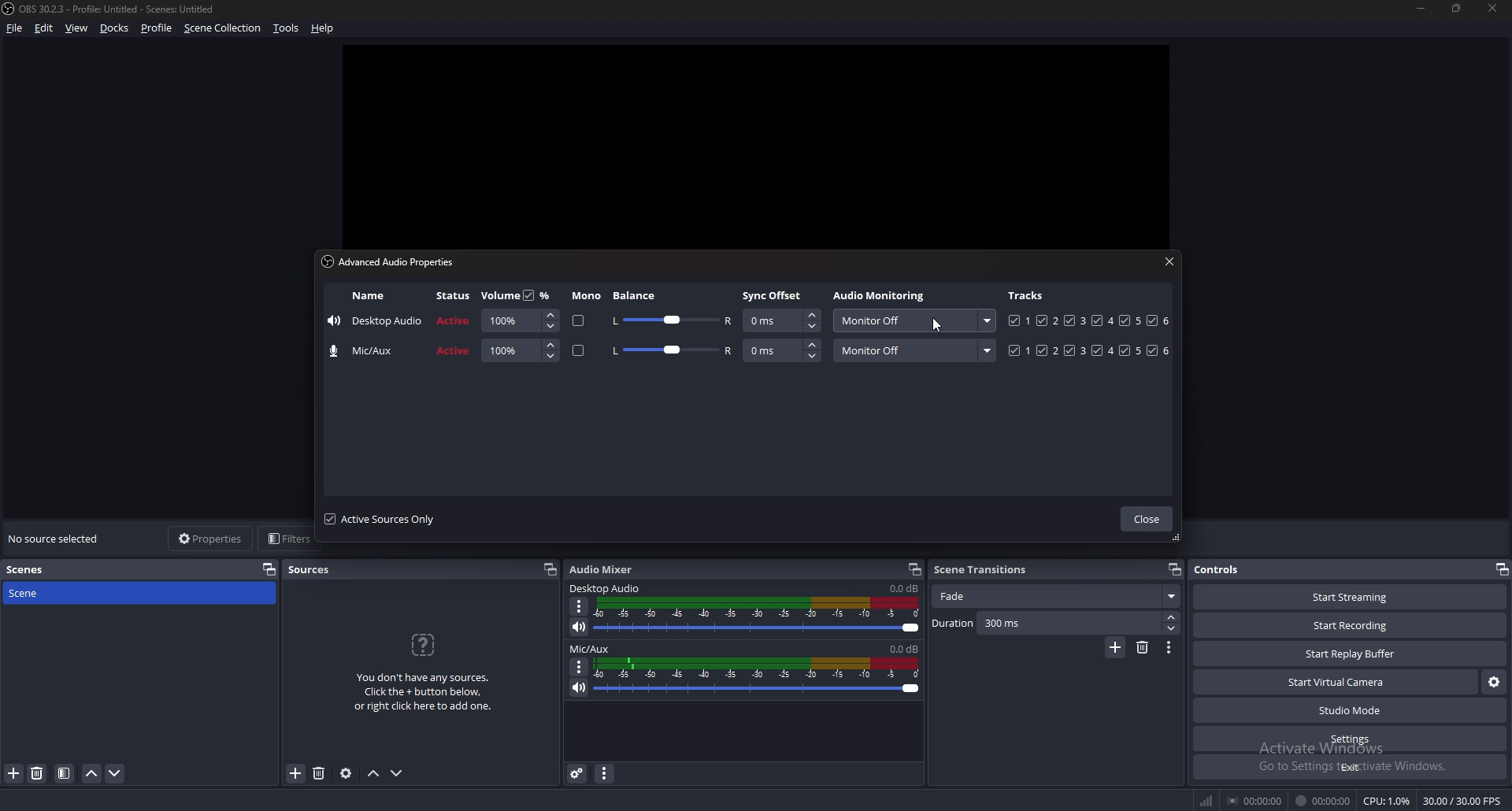 The image size is (1512, 811). What do you see at coordinates (15, 28) in the screenshot?
I see `file` at bounding box center [15, 28].